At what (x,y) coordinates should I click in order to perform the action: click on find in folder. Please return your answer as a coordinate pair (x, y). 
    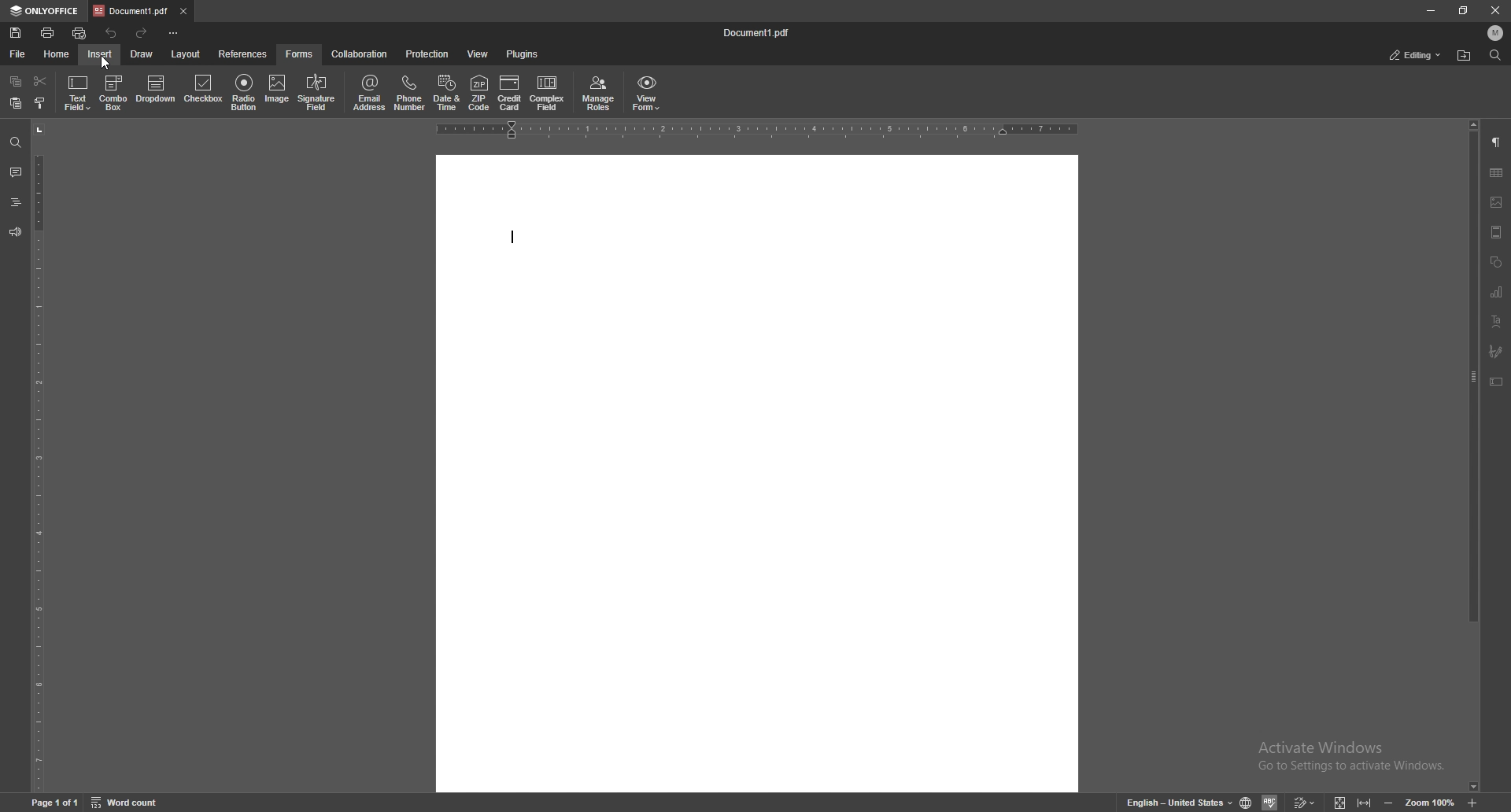
    Looking at the image, I should click on (1464, 56).